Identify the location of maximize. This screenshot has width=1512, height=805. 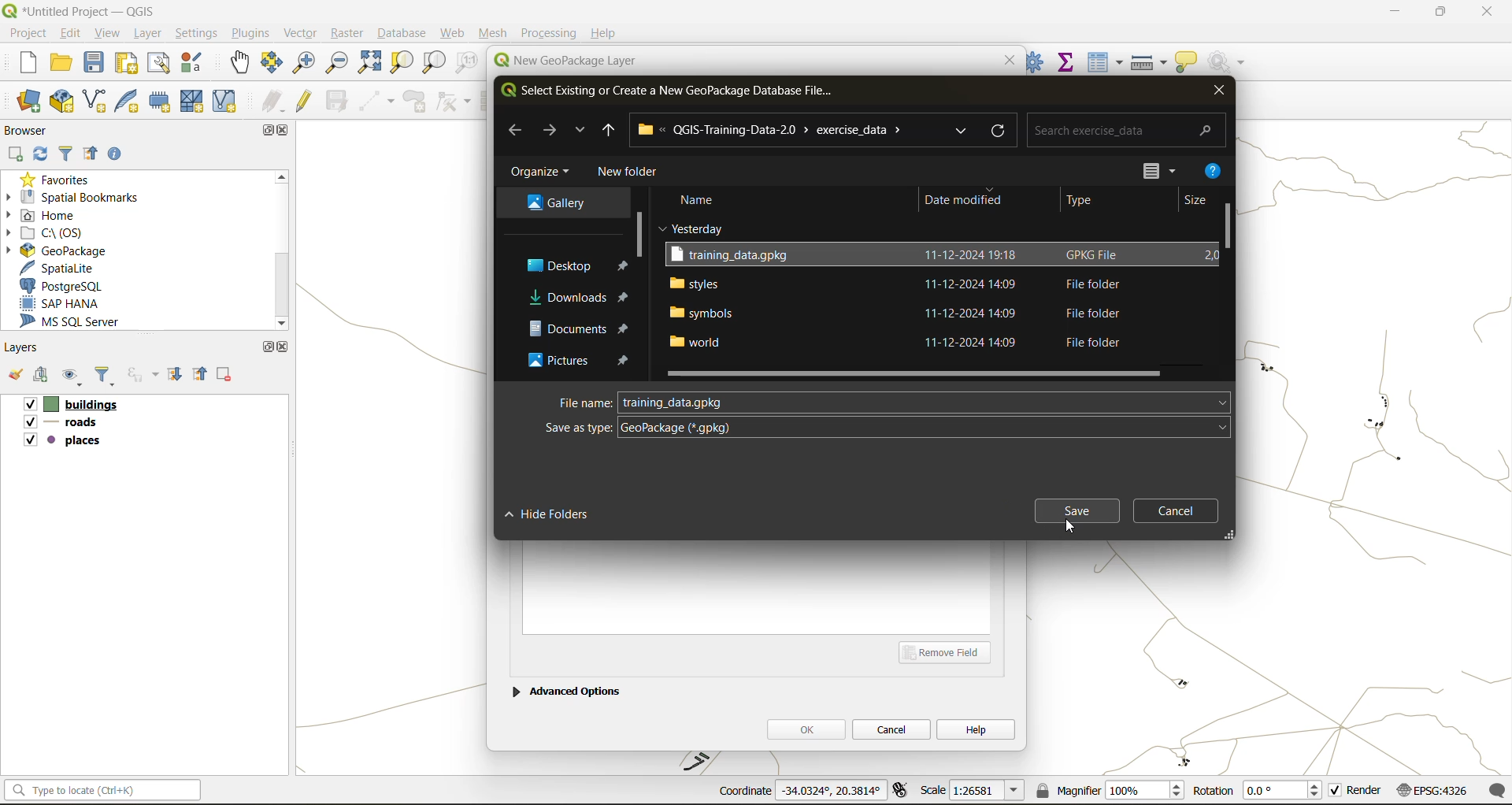
(1440, 14).